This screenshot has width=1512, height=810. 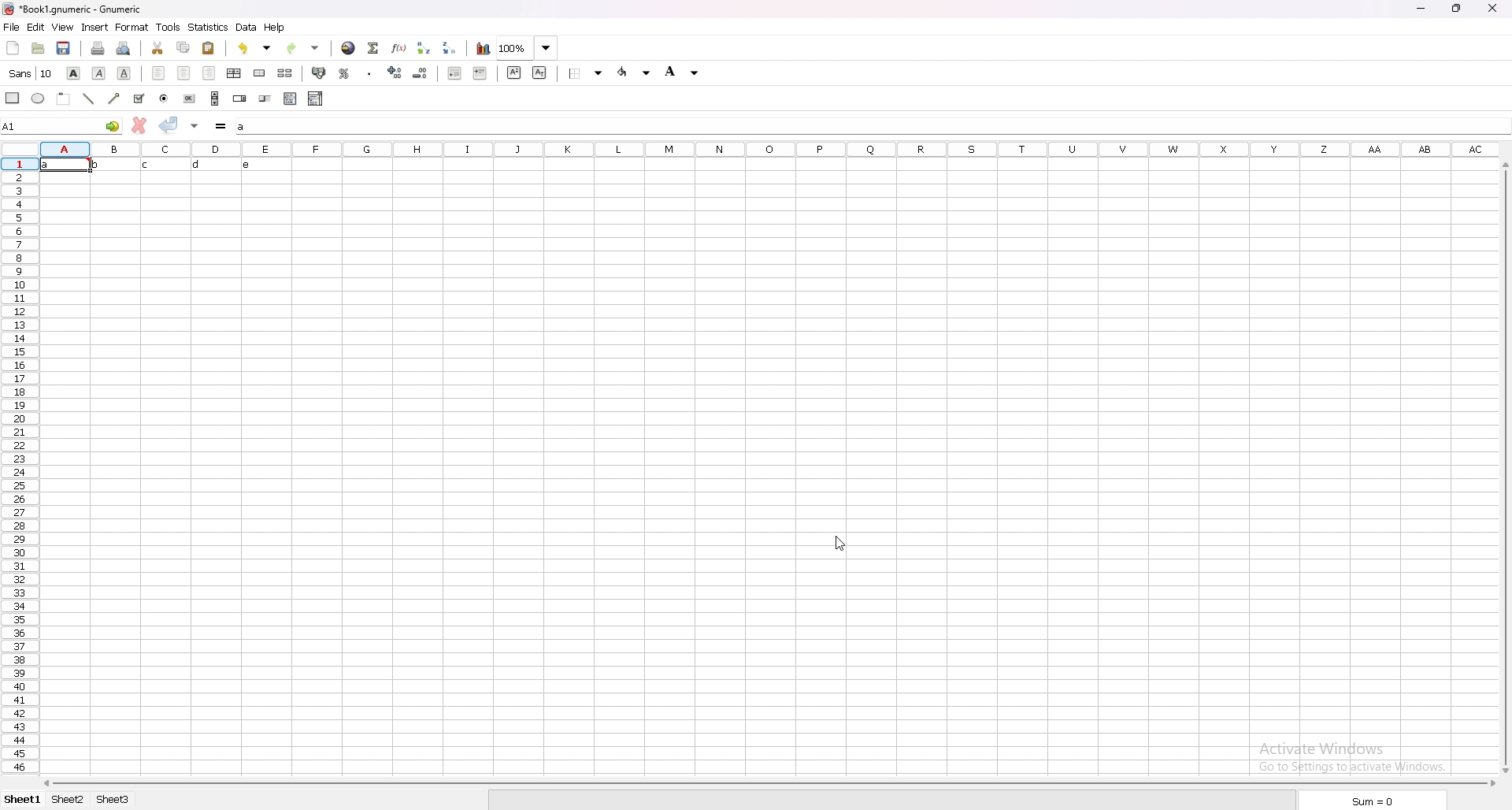 I want to click on percentage, so click(x=345, y=73).